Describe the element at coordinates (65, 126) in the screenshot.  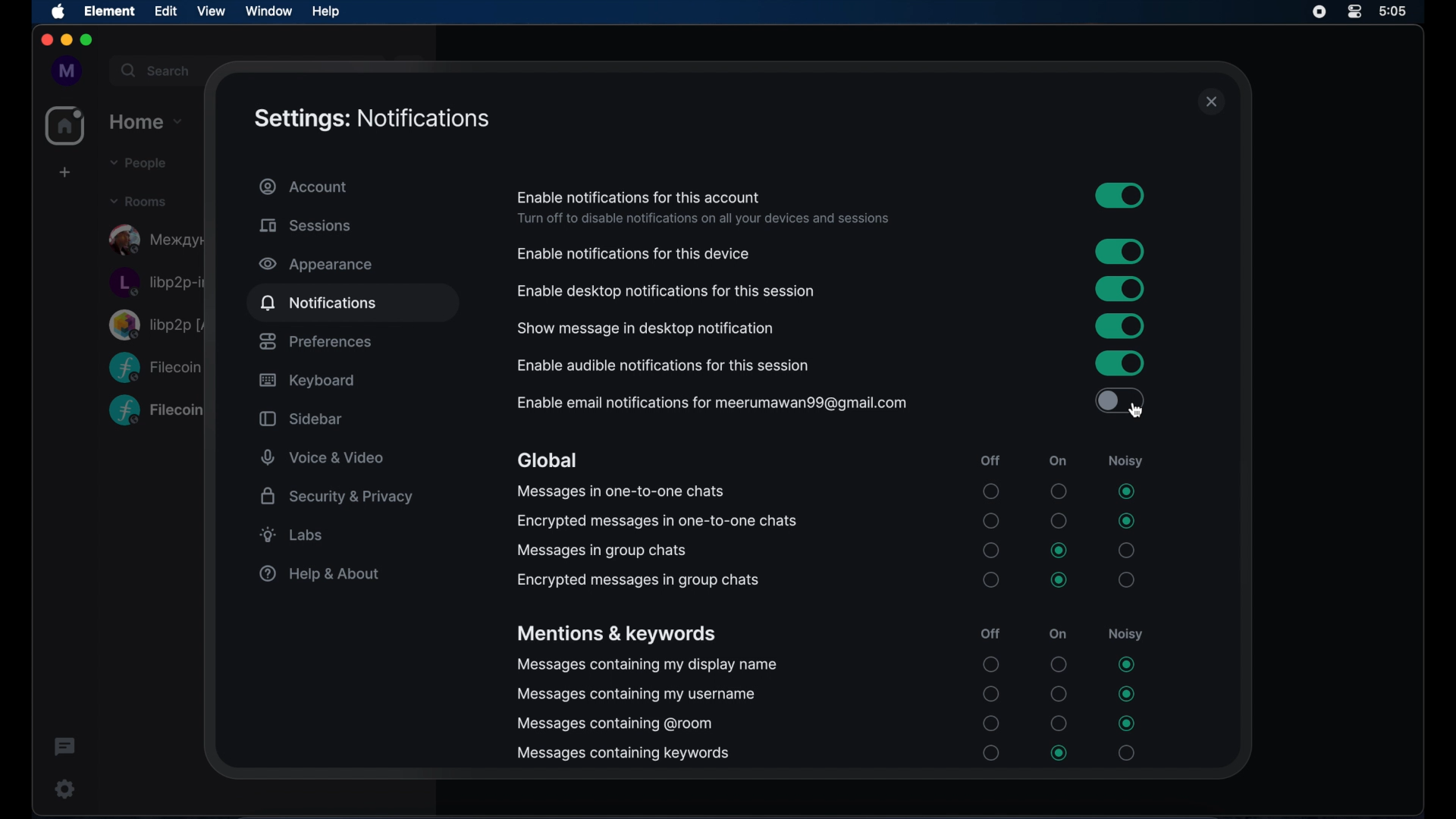
I see `home` at that location.